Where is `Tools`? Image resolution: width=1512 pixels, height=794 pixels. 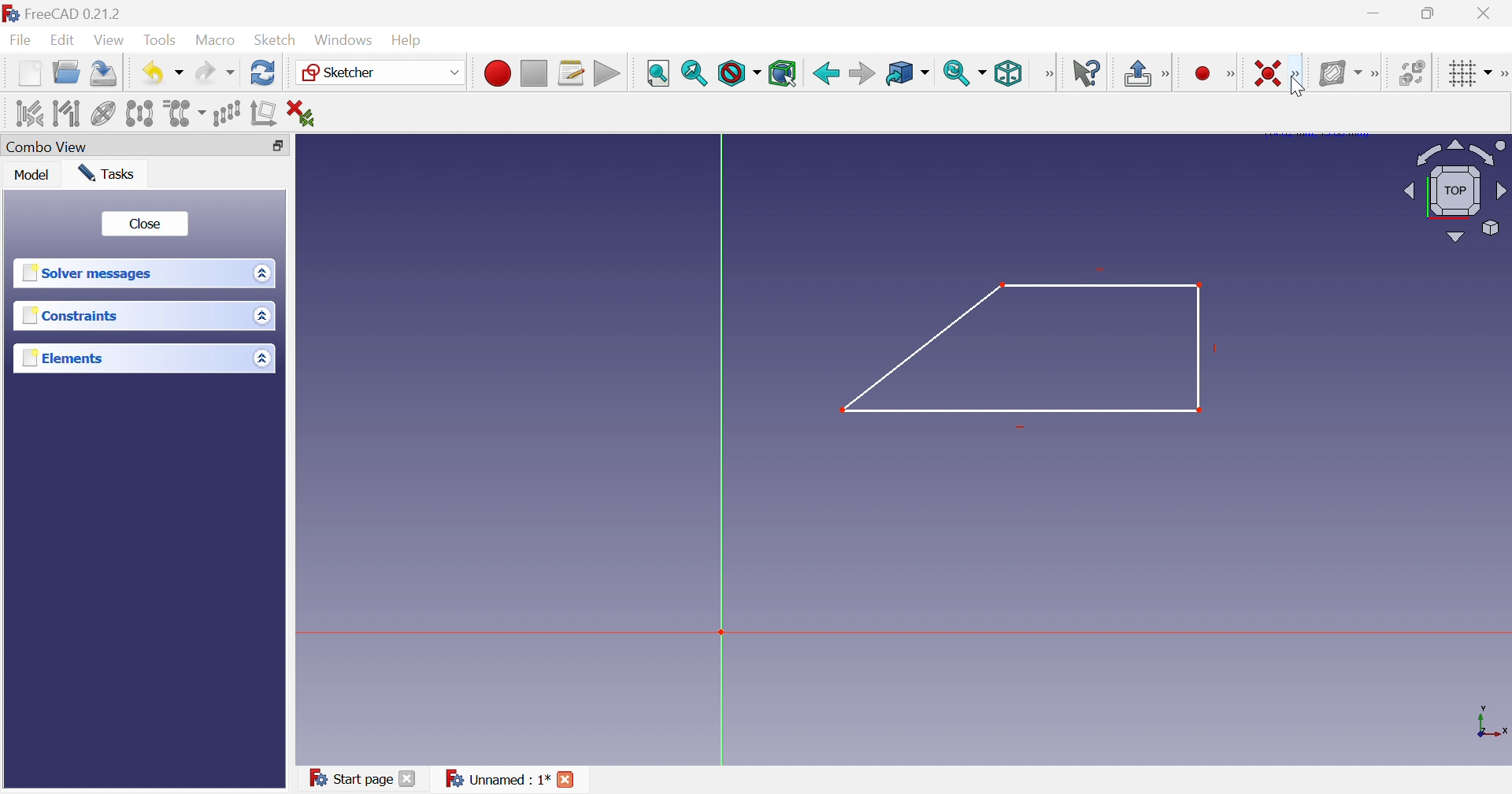
Tools is located at coordinates (162, 39).